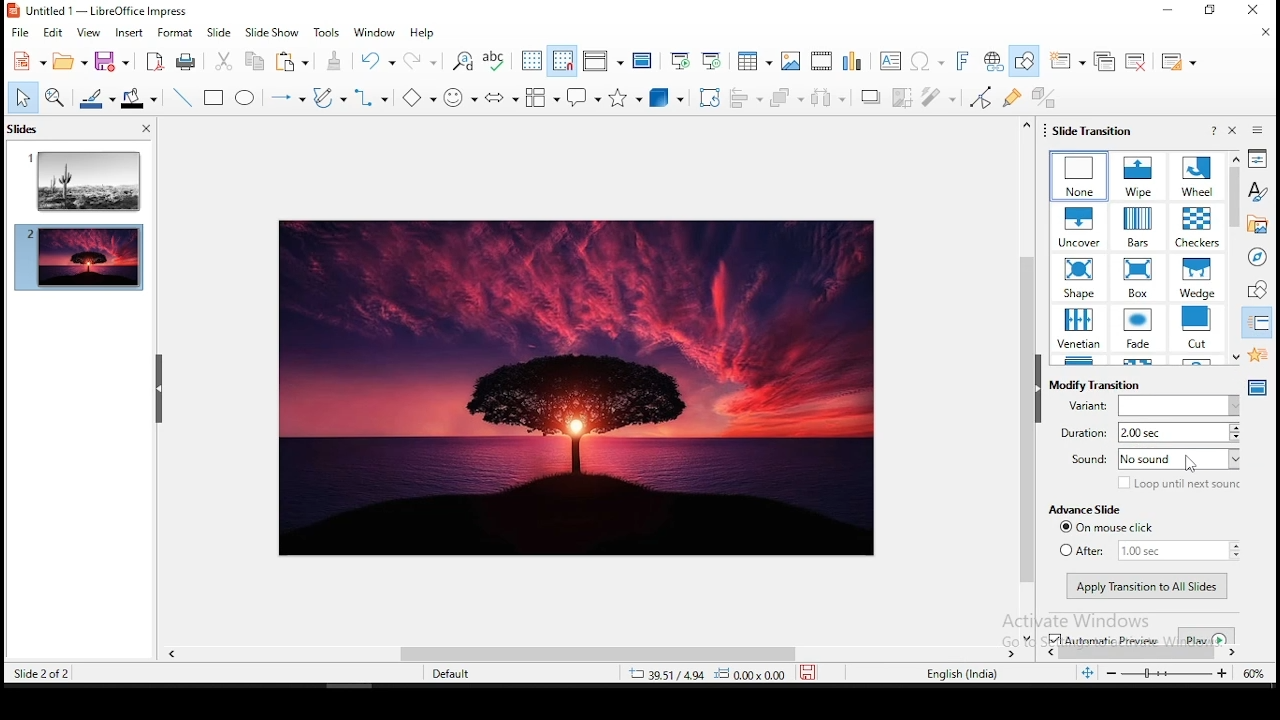 Image resolution: width=1280 pixels, height=720 pixels. What do you see at coordinates (180, 94) in the screenshot?
I see `line` at bounding box center [180, 94].